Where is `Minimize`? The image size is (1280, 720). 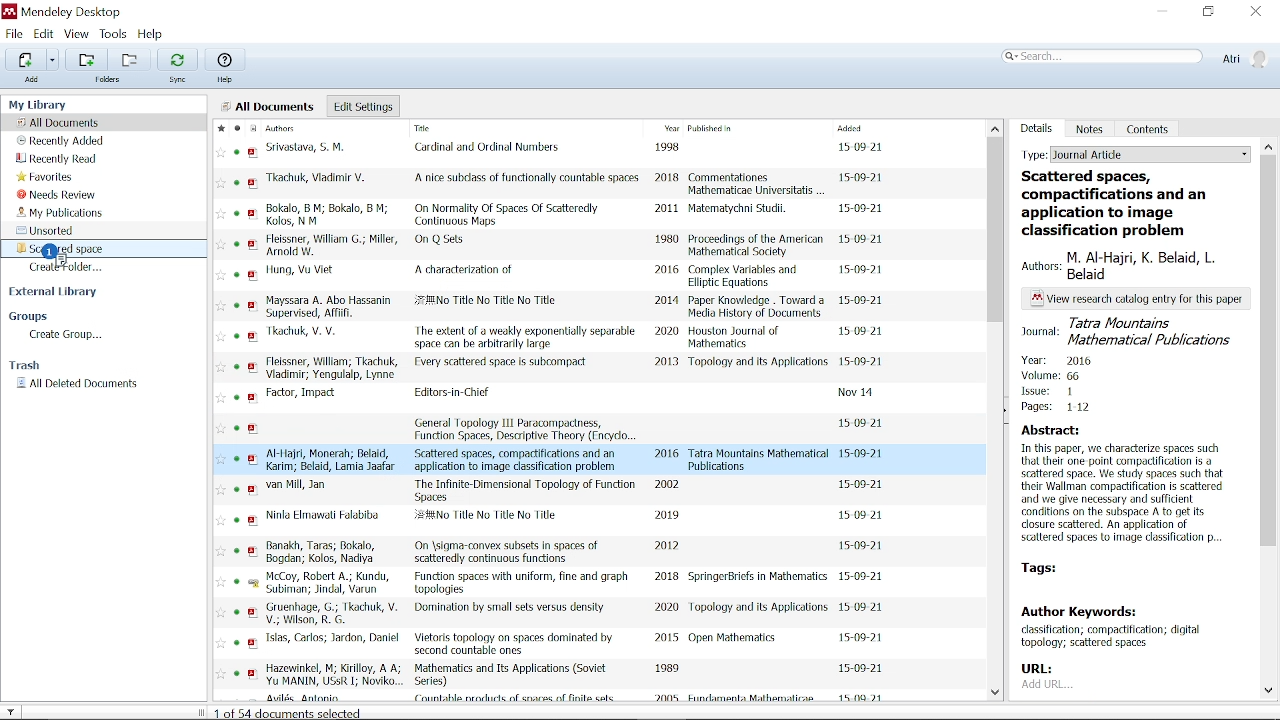 Minimize is located at coordinates (1162, 12).